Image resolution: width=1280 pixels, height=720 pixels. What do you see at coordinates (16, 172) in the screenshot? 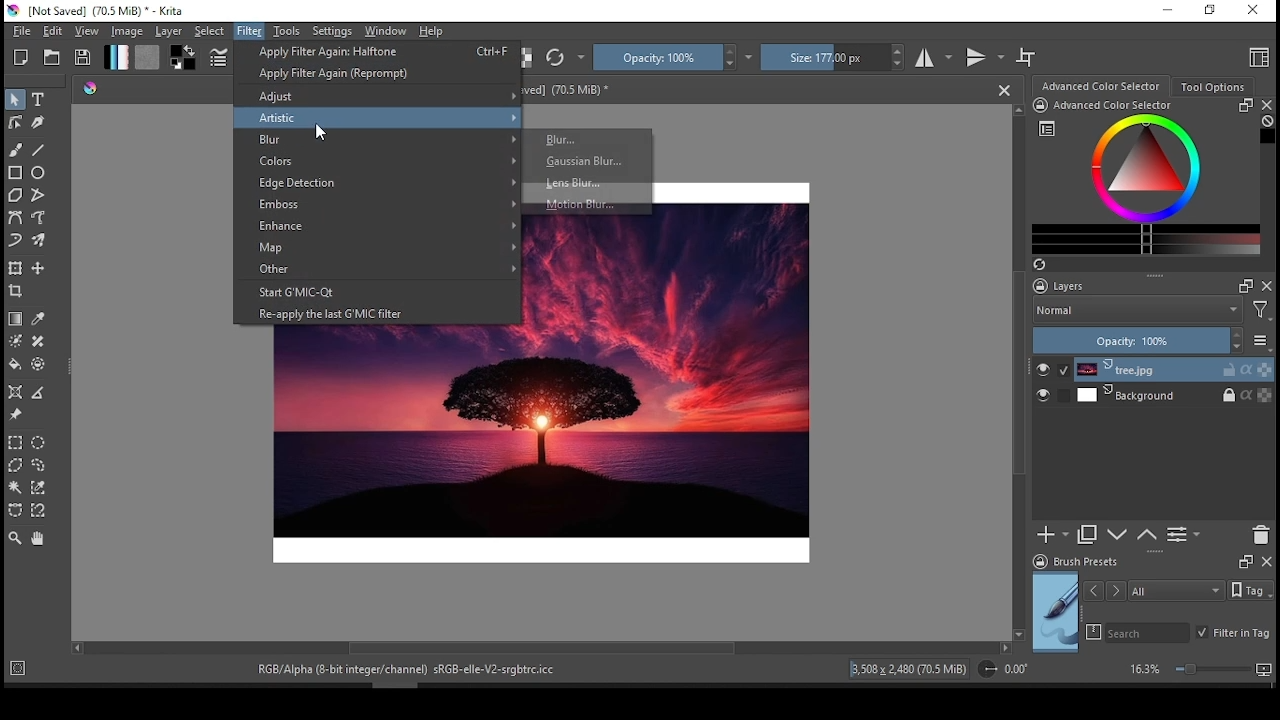
I see `square  tool` at bounding box center [16, 172].